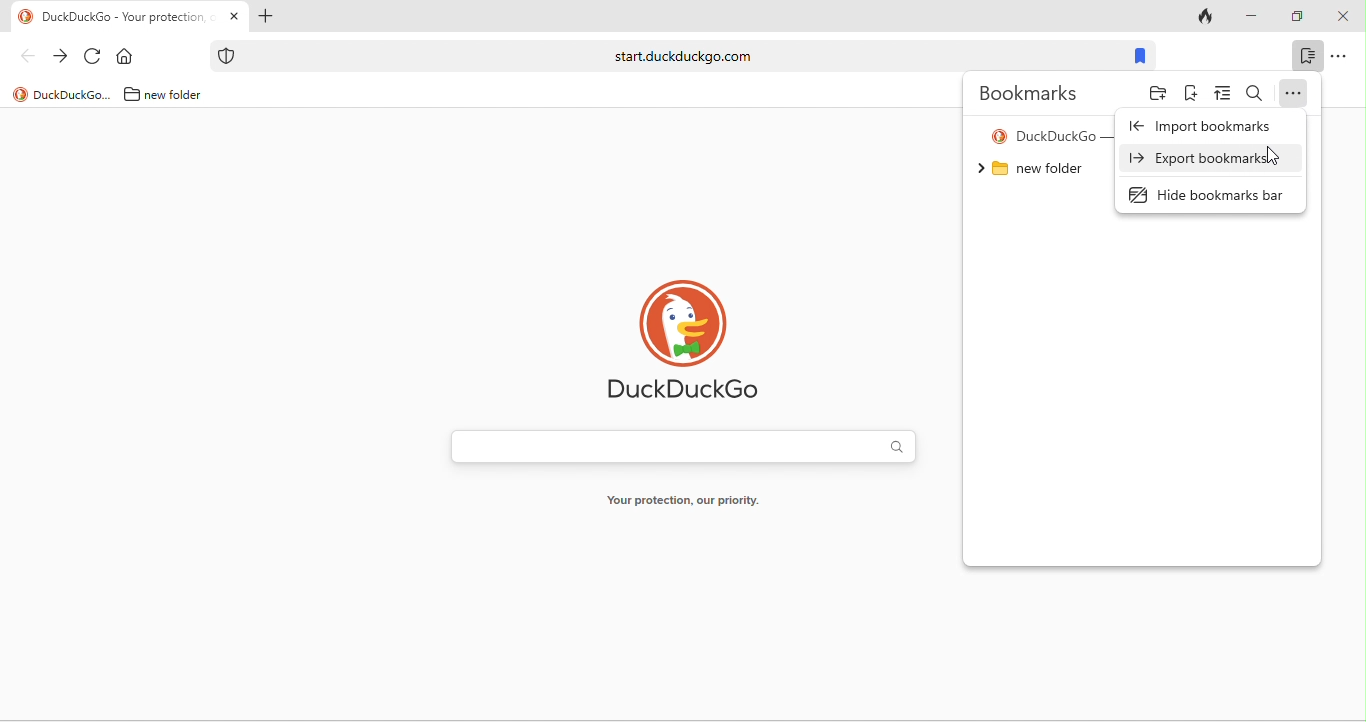 The height and width of the screenshot is (722, 1366). I want to click on cursor, so click(1273, 156).